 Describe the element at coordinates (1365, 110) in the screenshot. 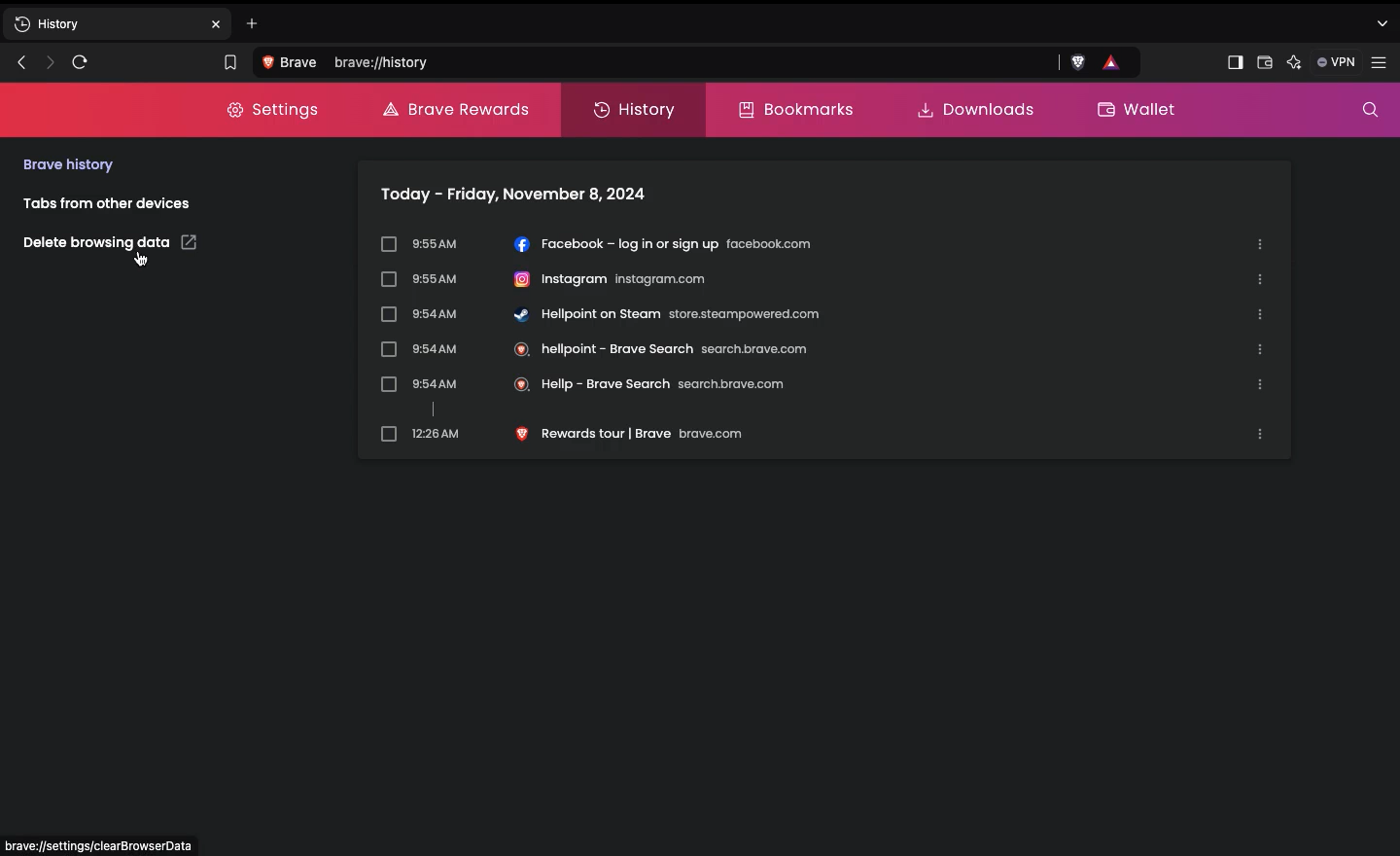

I see `Search` at that location.